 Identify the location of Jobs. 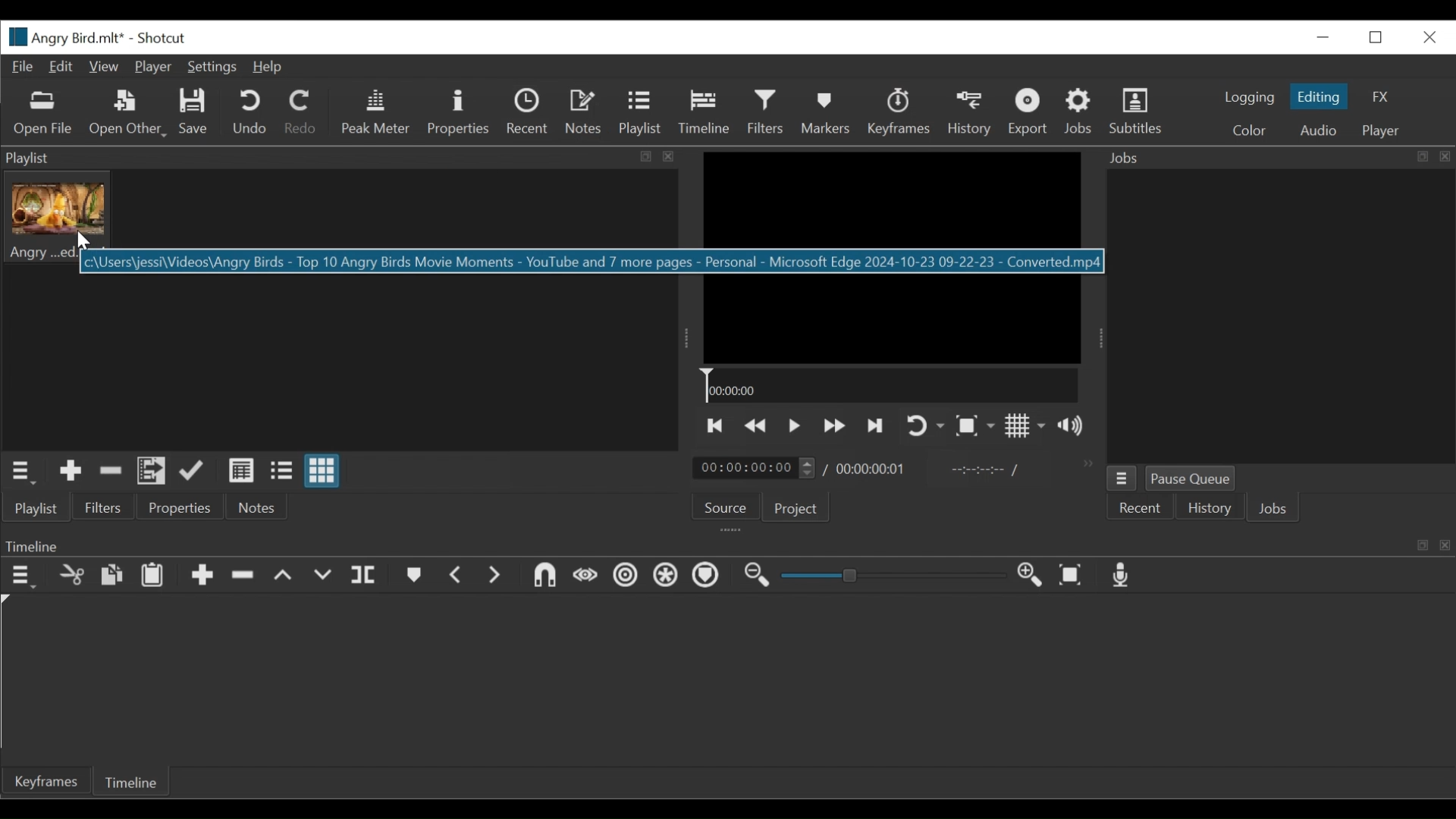
(1276, 156).